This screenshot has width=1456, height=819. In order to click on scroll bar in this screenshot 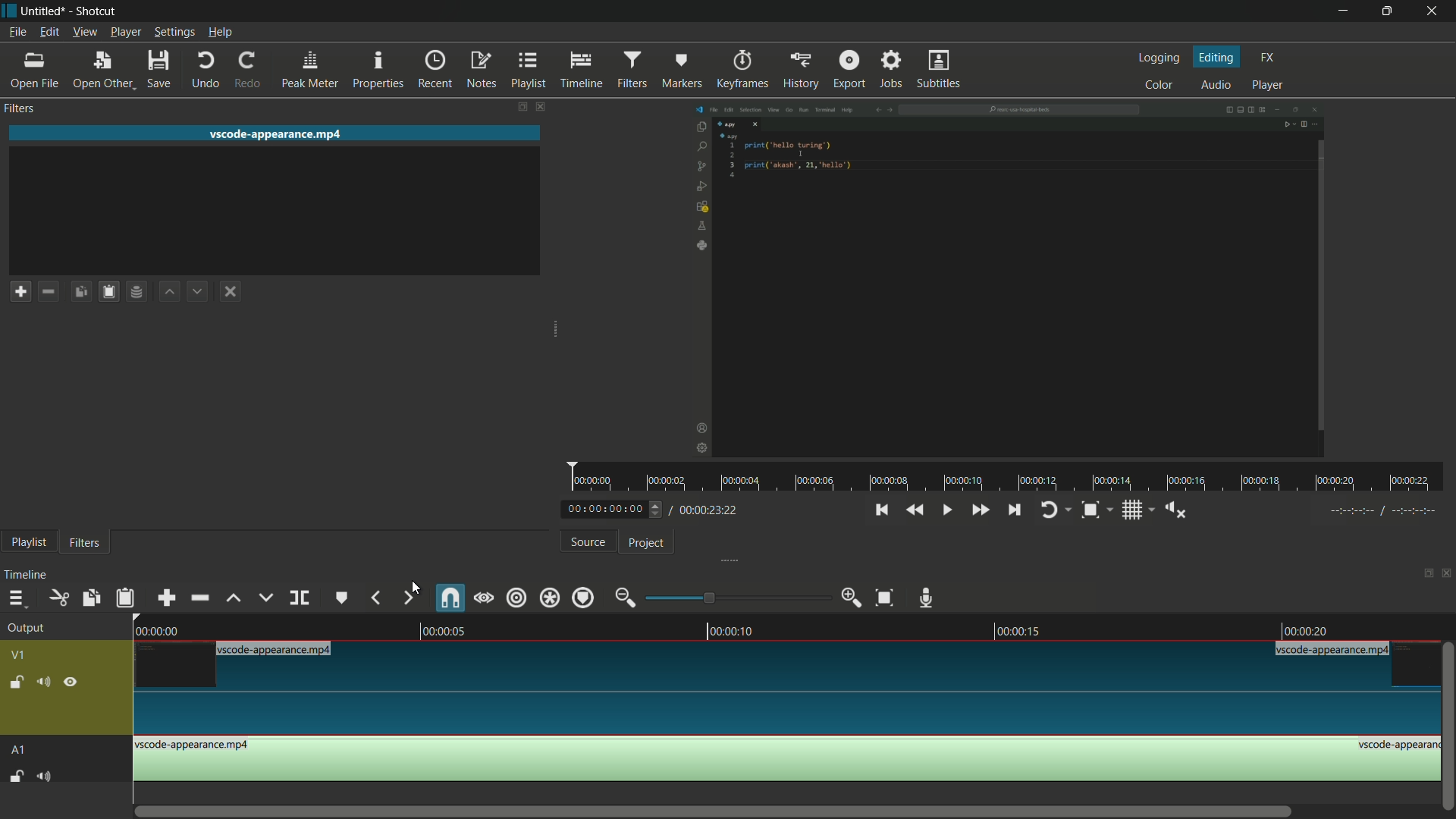, I will do `click(726, 811)`.